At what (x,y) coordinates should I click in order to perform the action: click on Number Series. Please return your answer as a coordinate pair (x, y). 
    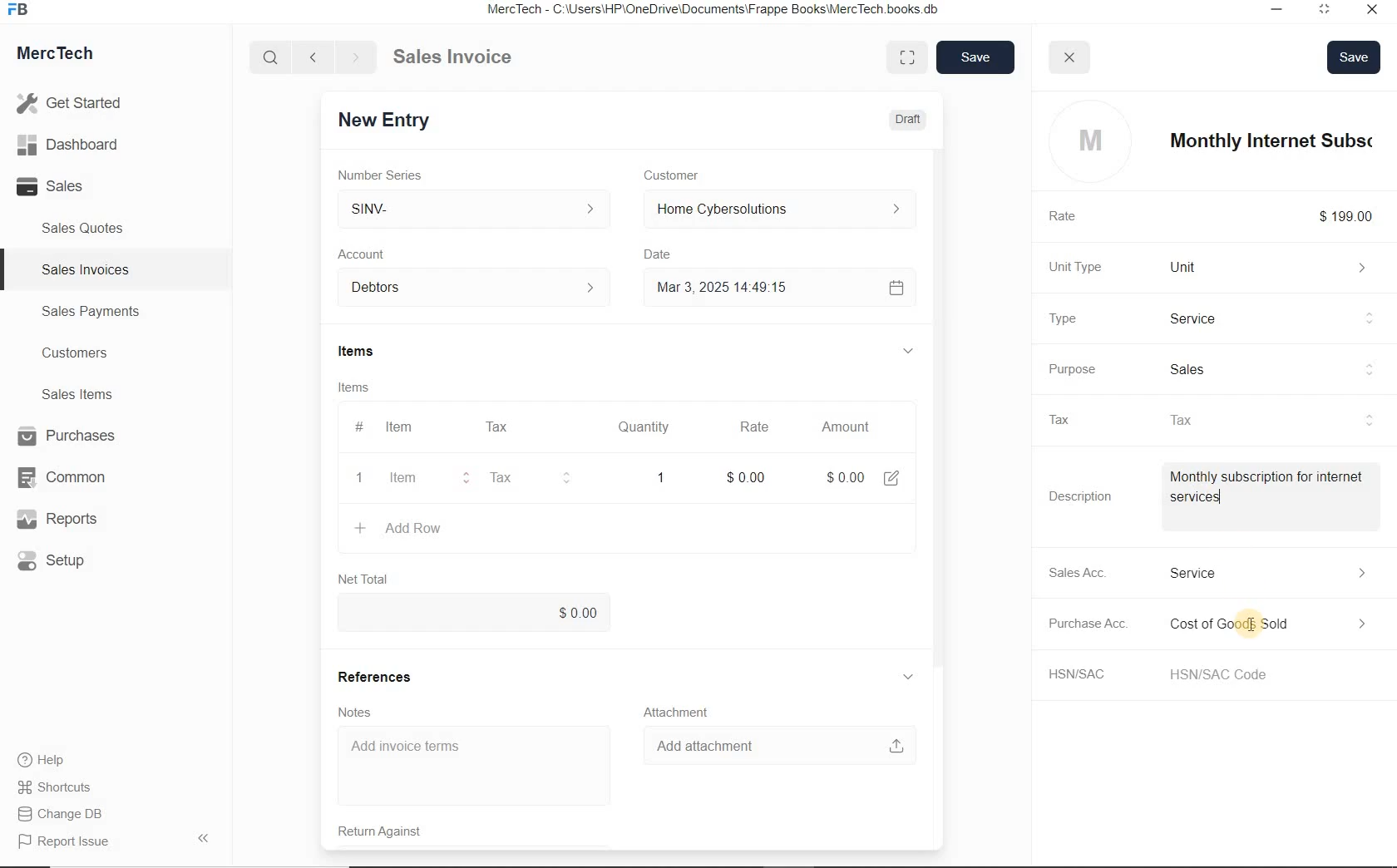
    Looking at the image, I should click on (390, 173).